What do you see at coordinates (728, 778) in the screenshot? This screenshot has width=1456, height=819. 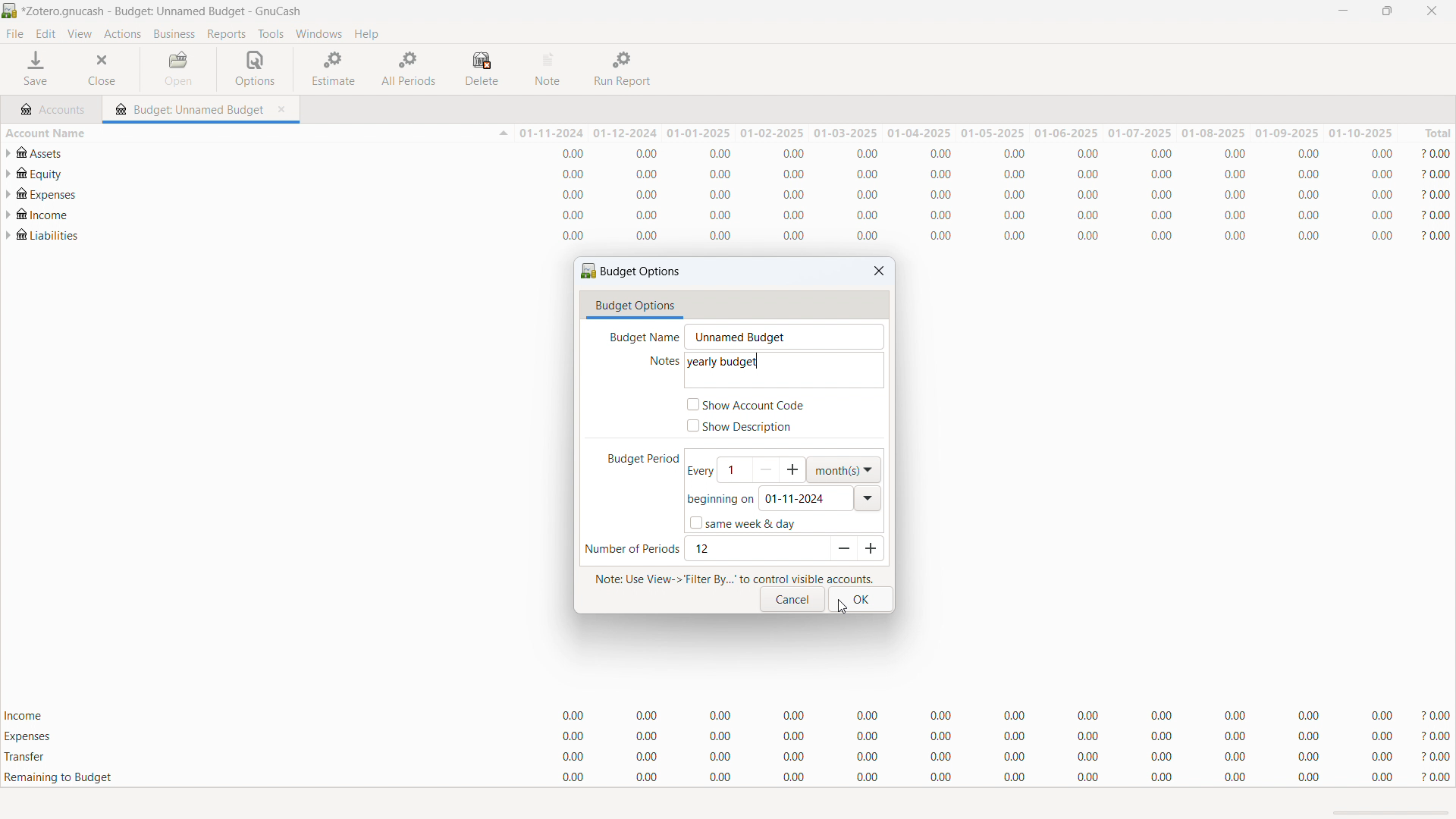 I see `remaining to budget total` at bounding box center [728, 778].